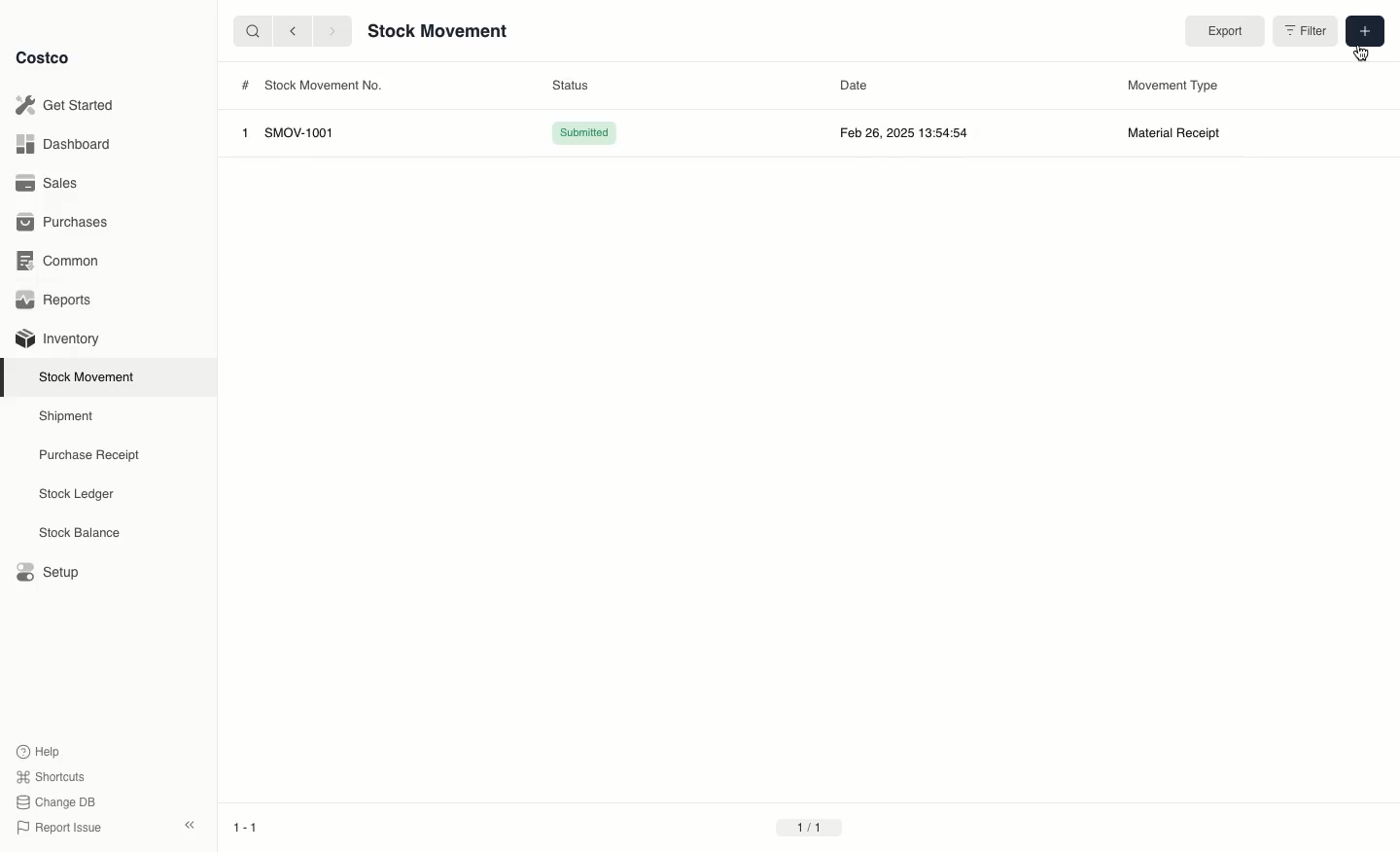  Describe the element at coordinates (1363, 31) in the screenshot. I see `Add` at that location.